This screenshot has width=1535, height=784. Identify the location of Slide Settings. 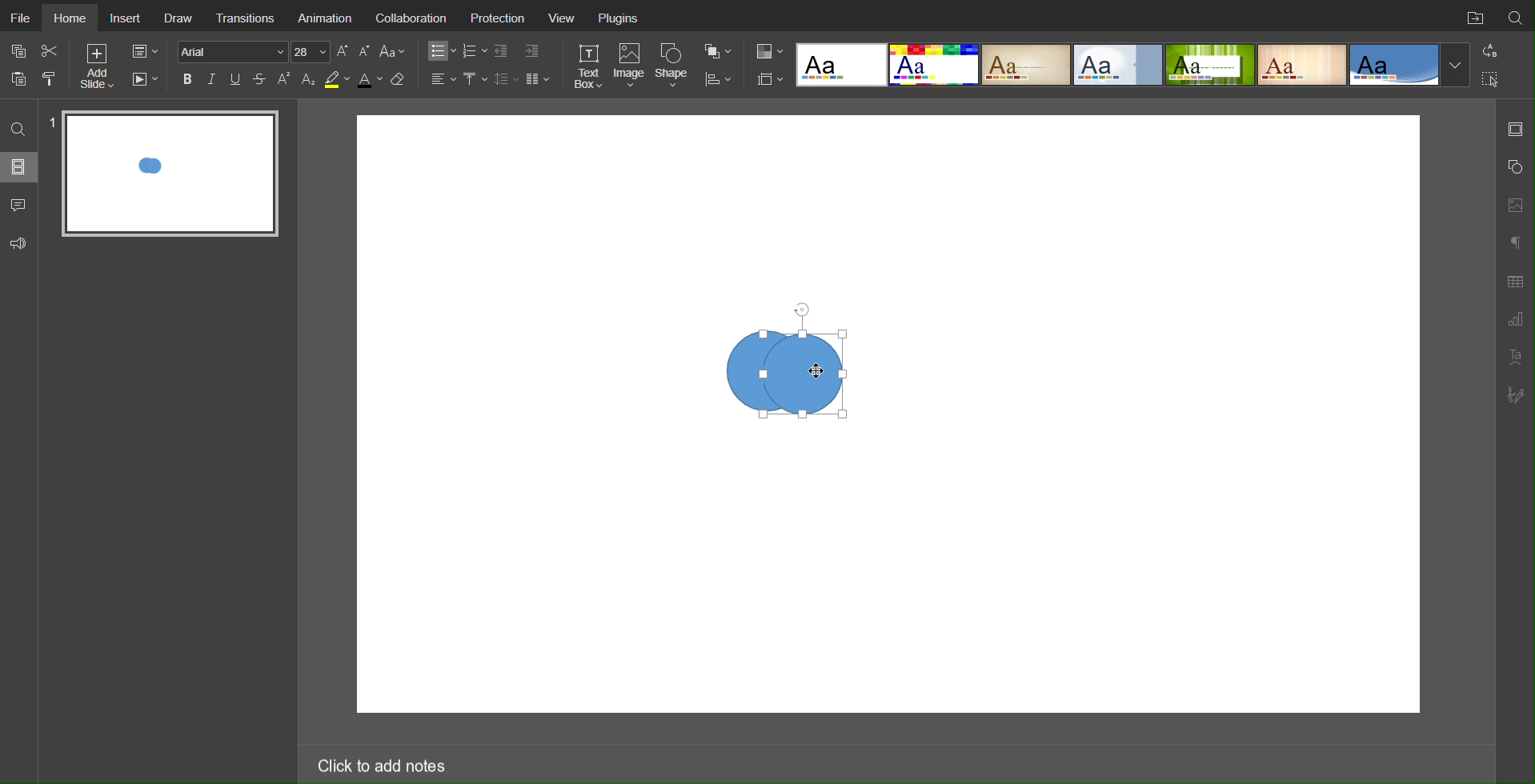
(767, 79).